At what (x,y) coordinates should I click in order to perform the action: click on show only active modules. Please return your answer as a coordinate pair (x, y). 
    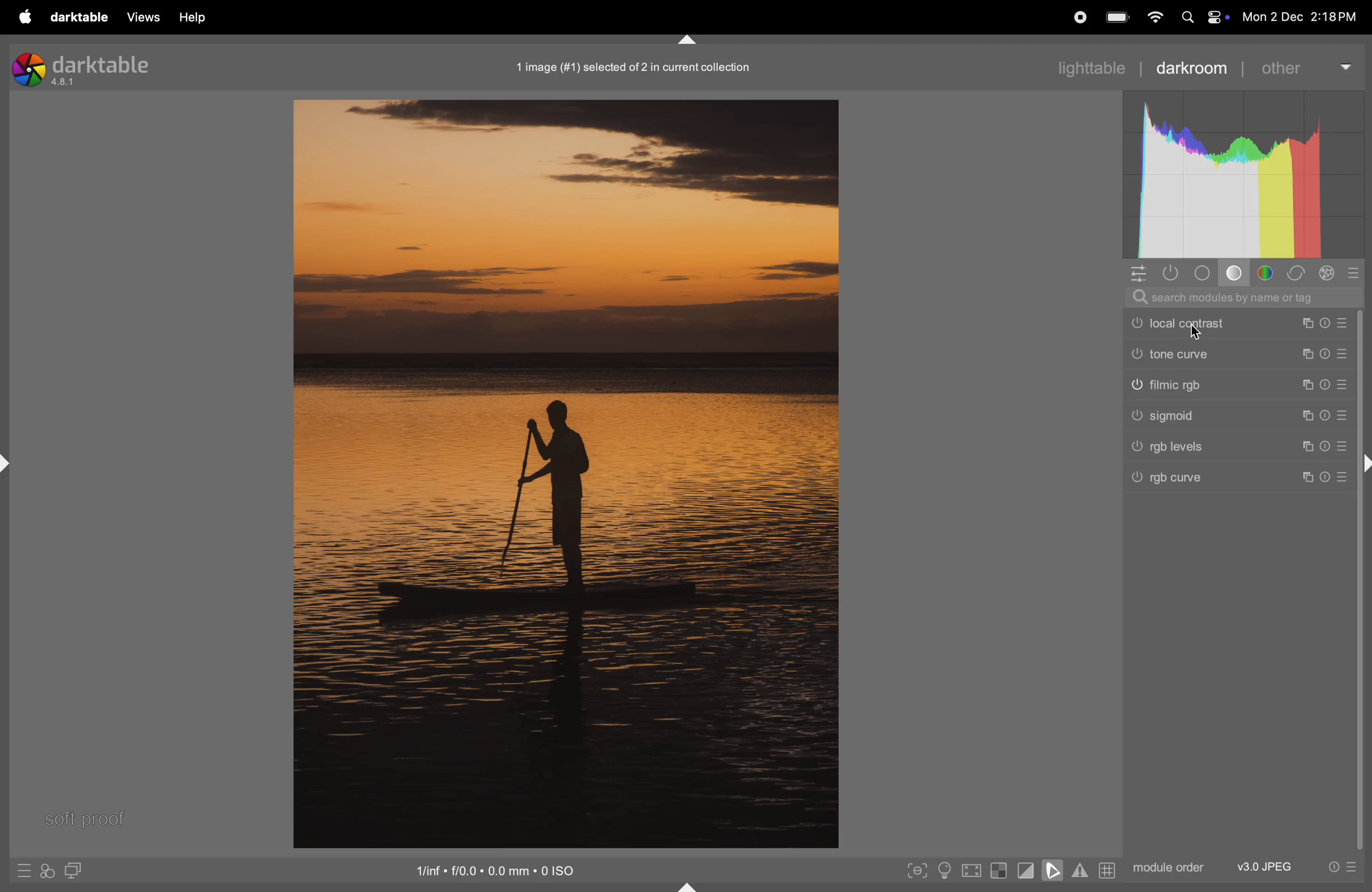
    Looking at the image, I should click on (1171, 273).